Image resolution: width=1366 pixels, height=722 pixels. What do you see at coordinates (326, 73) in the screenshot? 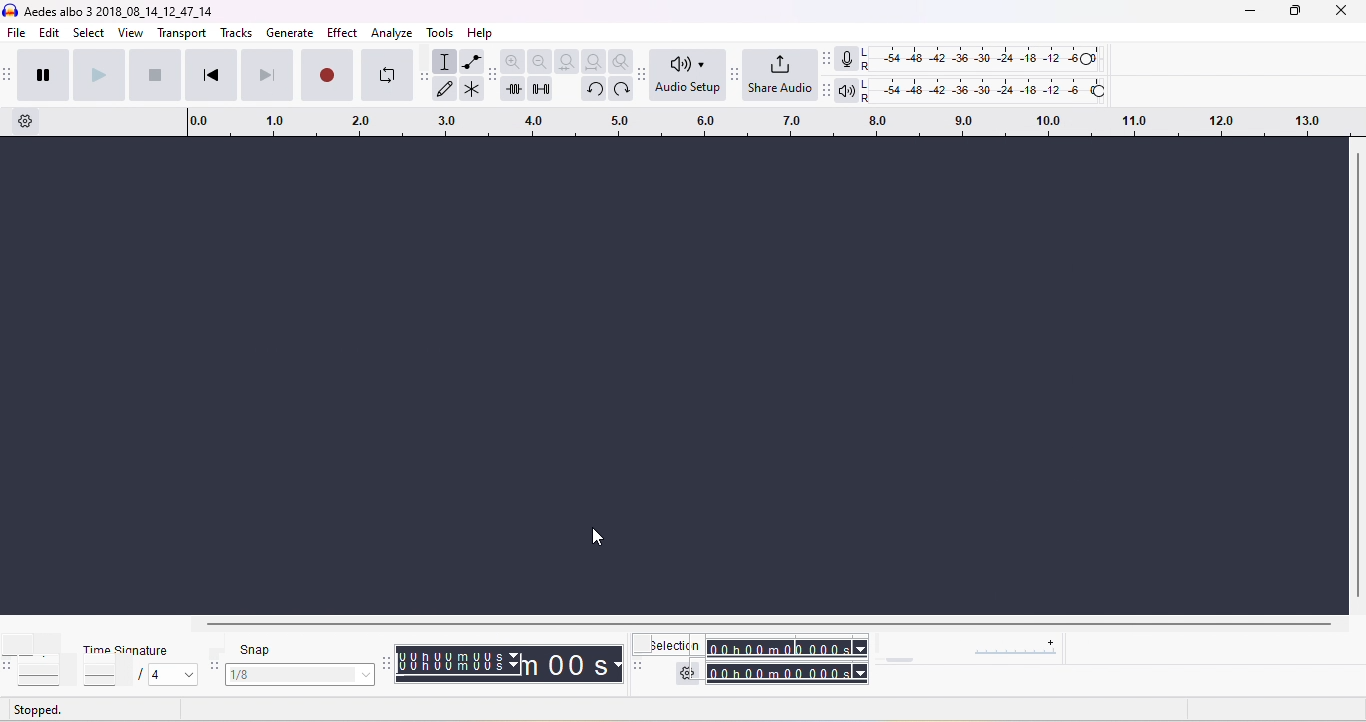
I see `record` at bounding box center [326, 73].